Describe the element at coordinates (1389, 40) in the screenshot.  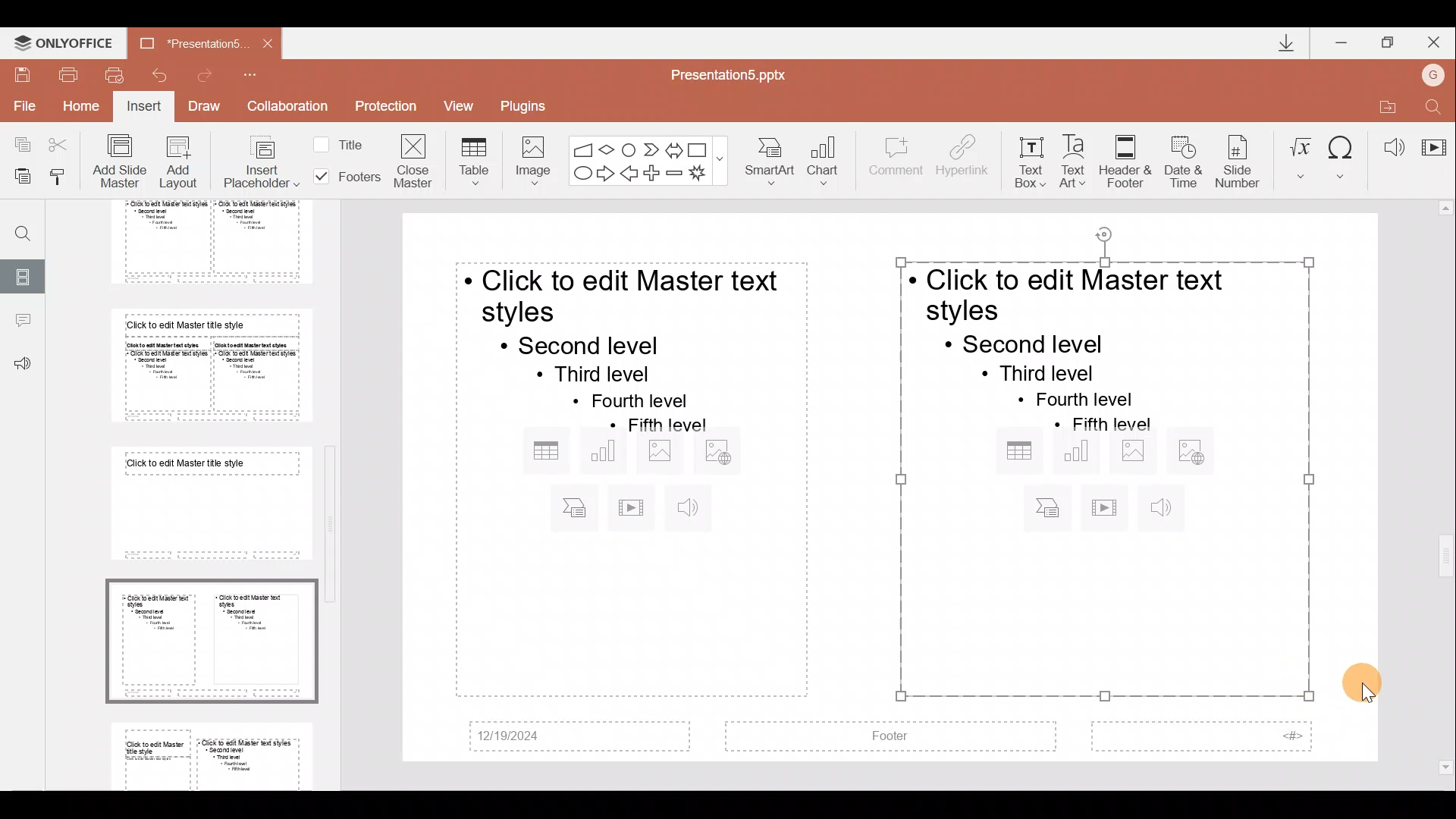
I see `Maximize` at that location.